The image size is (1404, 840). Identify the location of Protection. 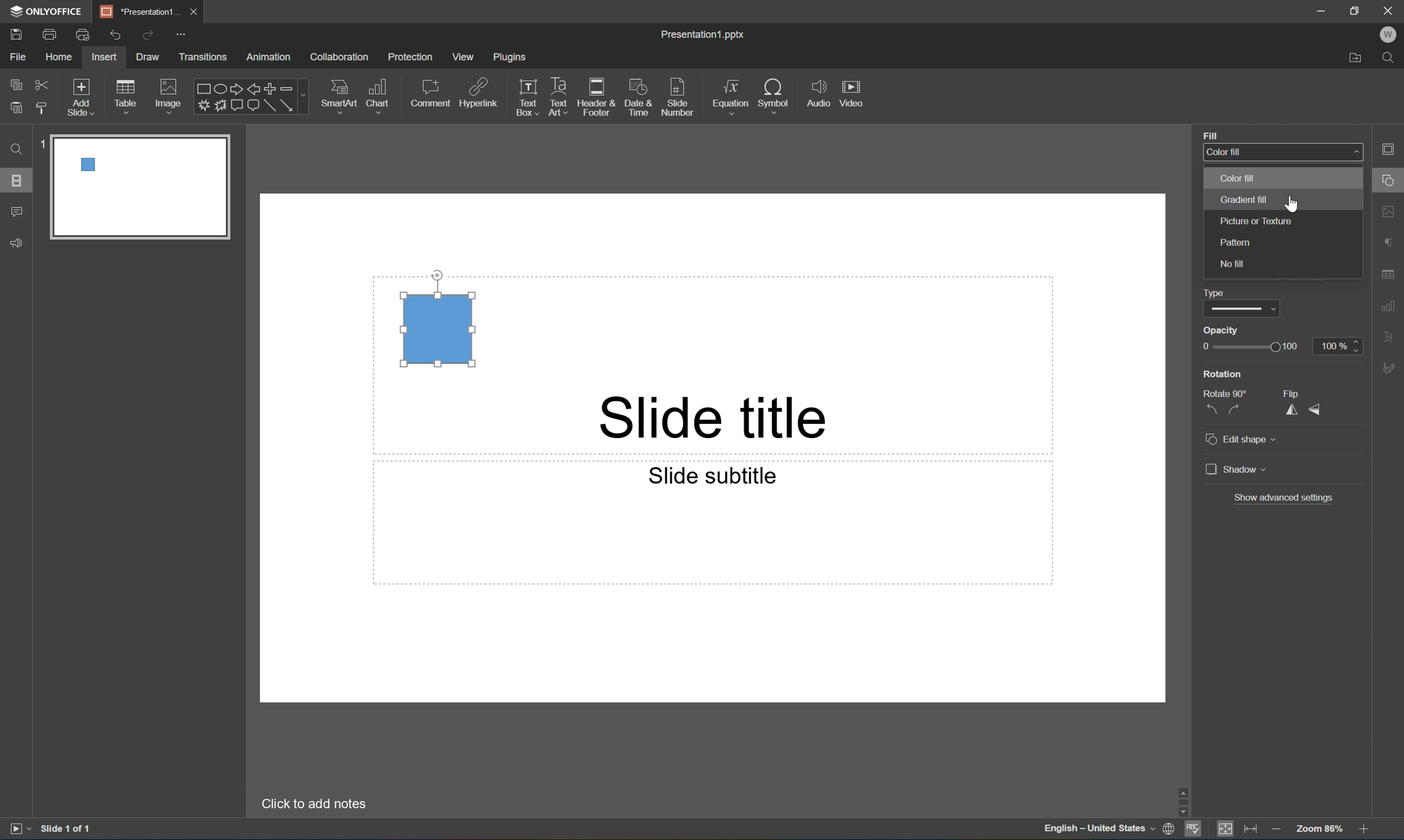
(410, 57).